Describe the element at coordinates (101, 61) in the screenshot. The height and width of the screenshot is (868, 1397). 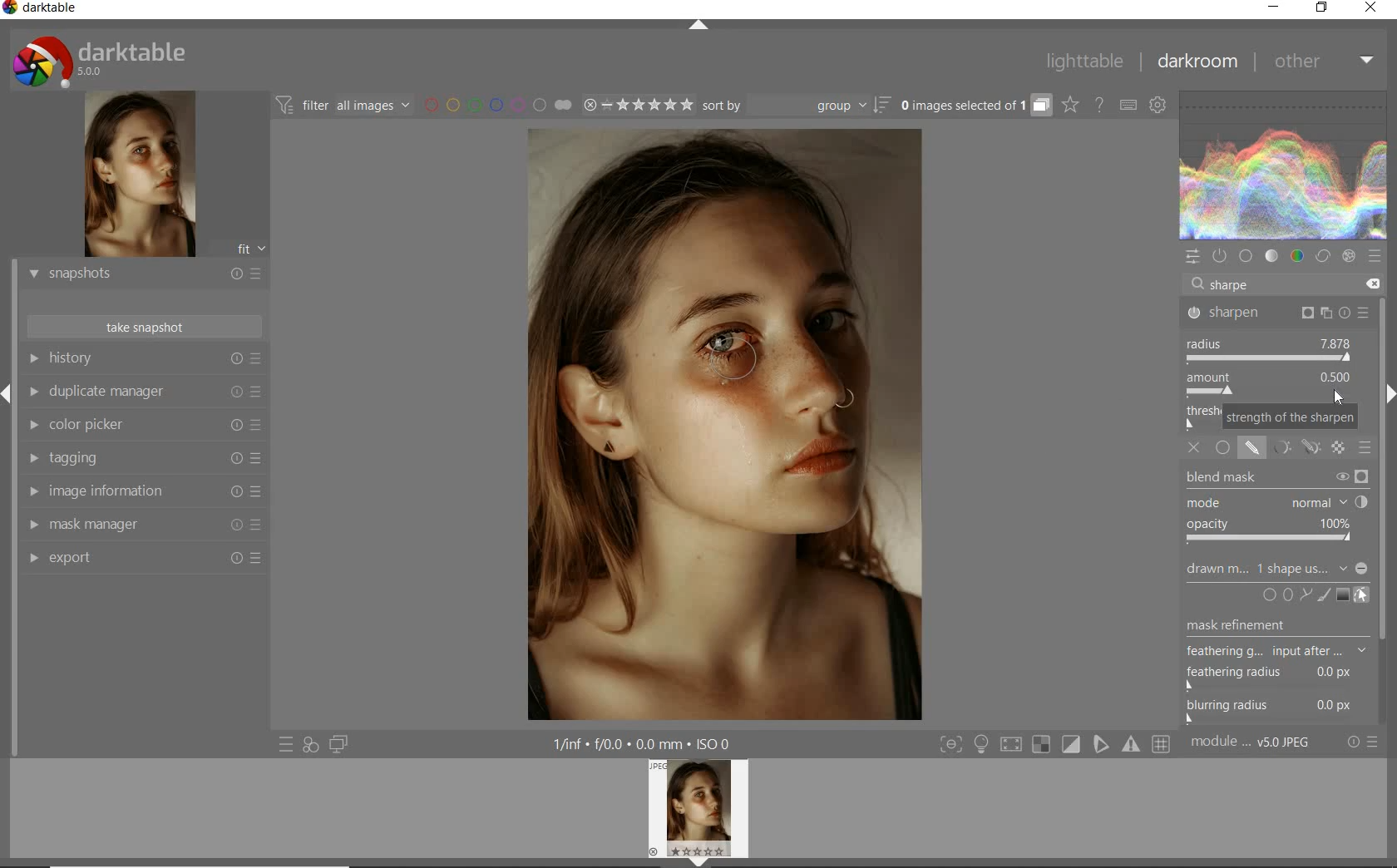
I see `system logo` at that location.